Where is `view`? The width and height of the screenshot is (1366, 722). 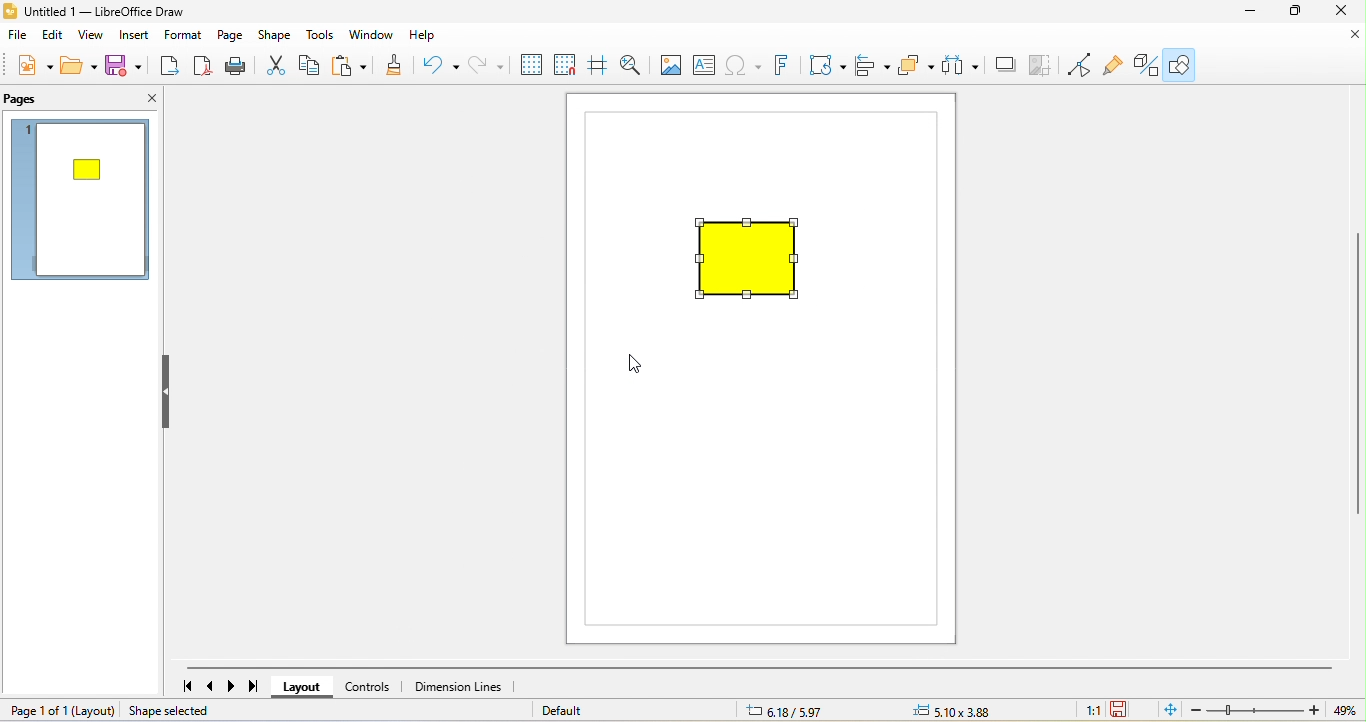
view is located at coordinates (93, 35).